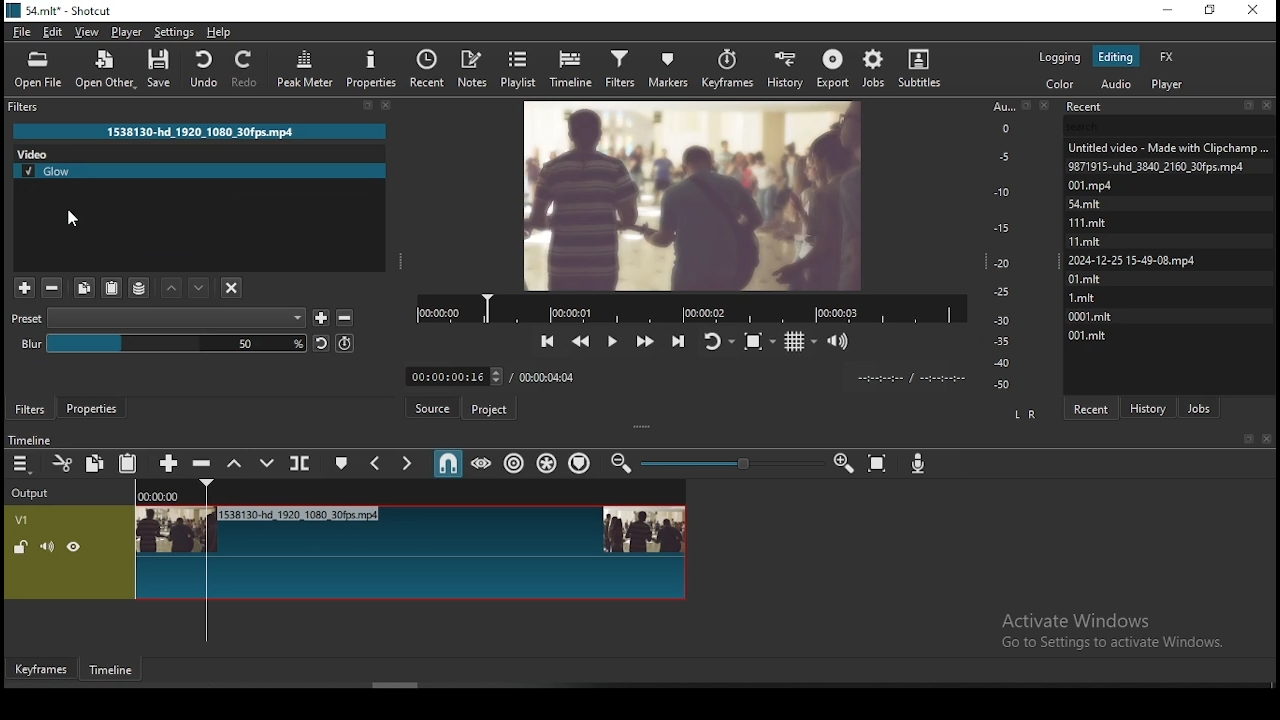  I want to click on color, so click(1061, 84).